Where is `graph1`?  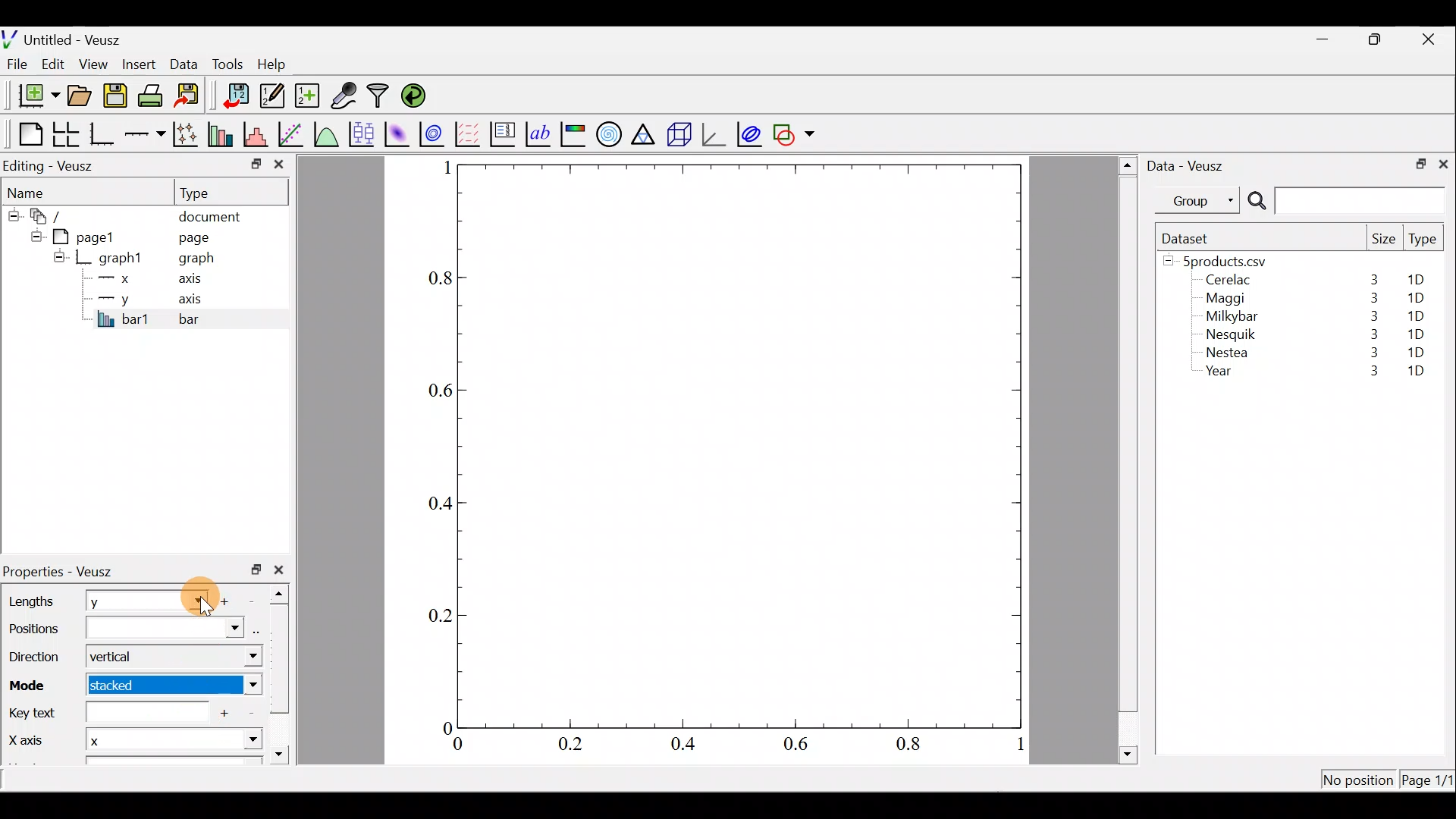 graph1 is located at coordinates (121, 259).